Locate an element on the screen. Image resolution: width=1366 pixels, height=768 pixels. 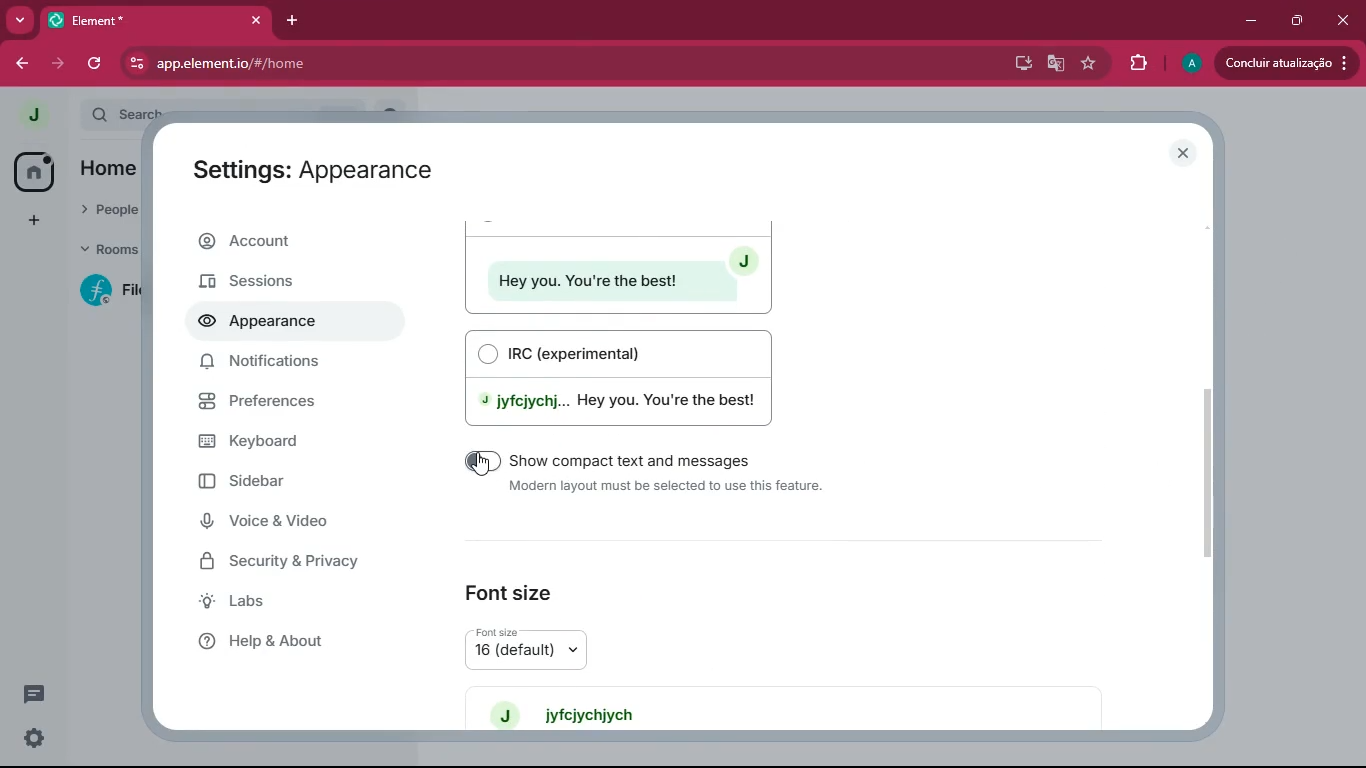
message is located at coordinates (32, 697).